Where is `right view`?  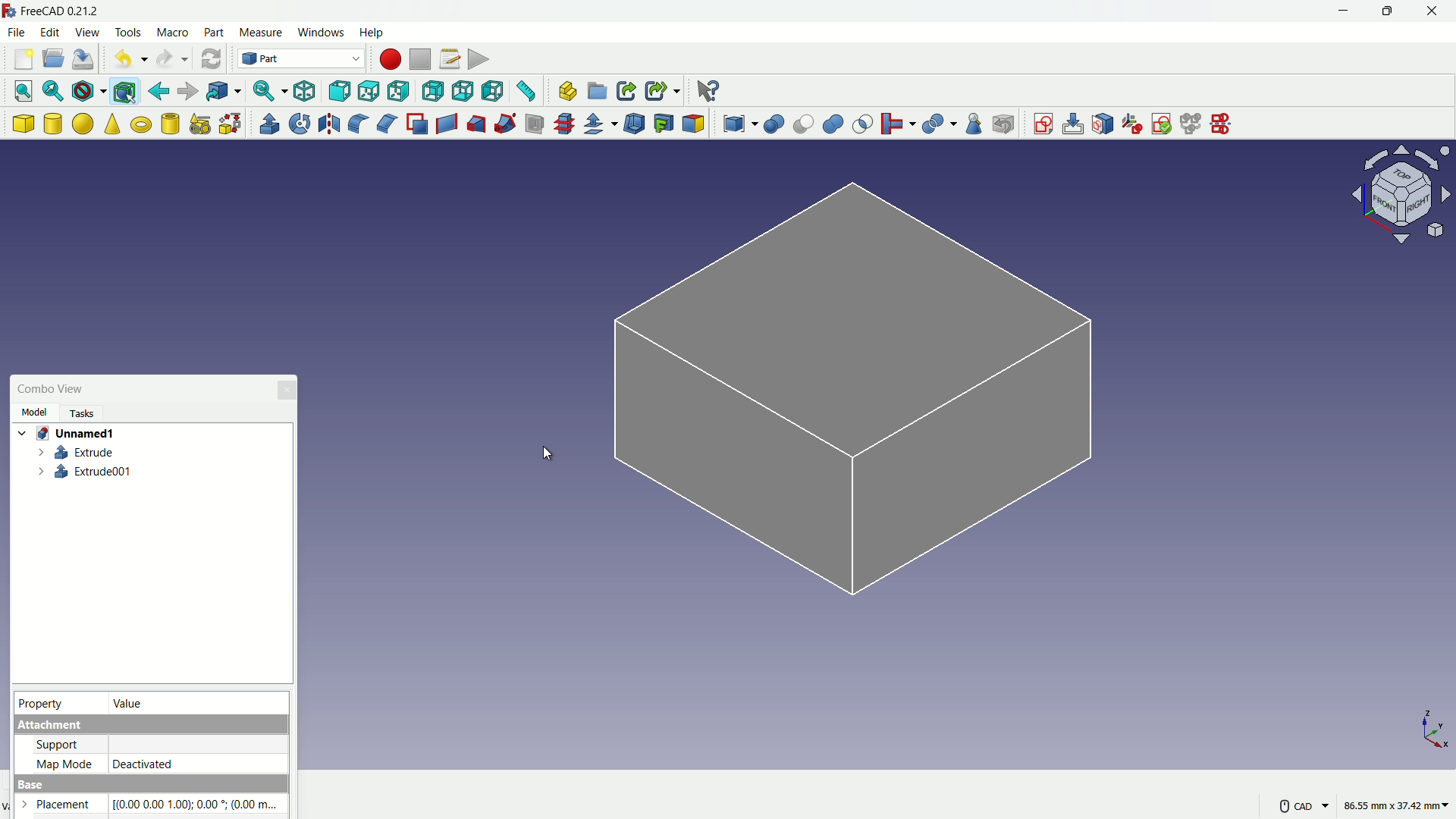 right view is located at coordinates (397, 93).